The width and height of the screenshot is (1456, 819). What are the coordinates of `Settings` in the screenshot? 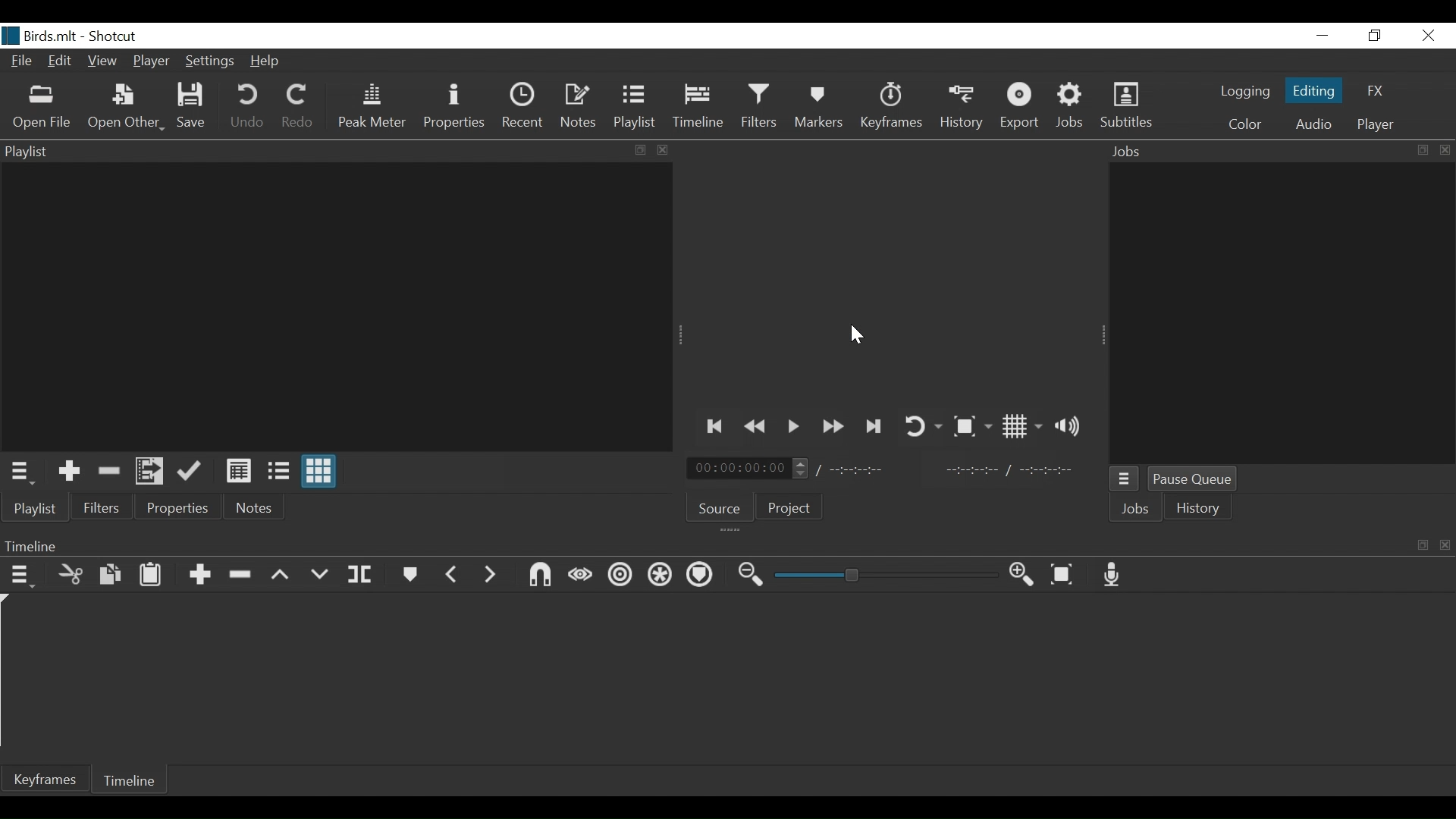 It's located at (208, 63).